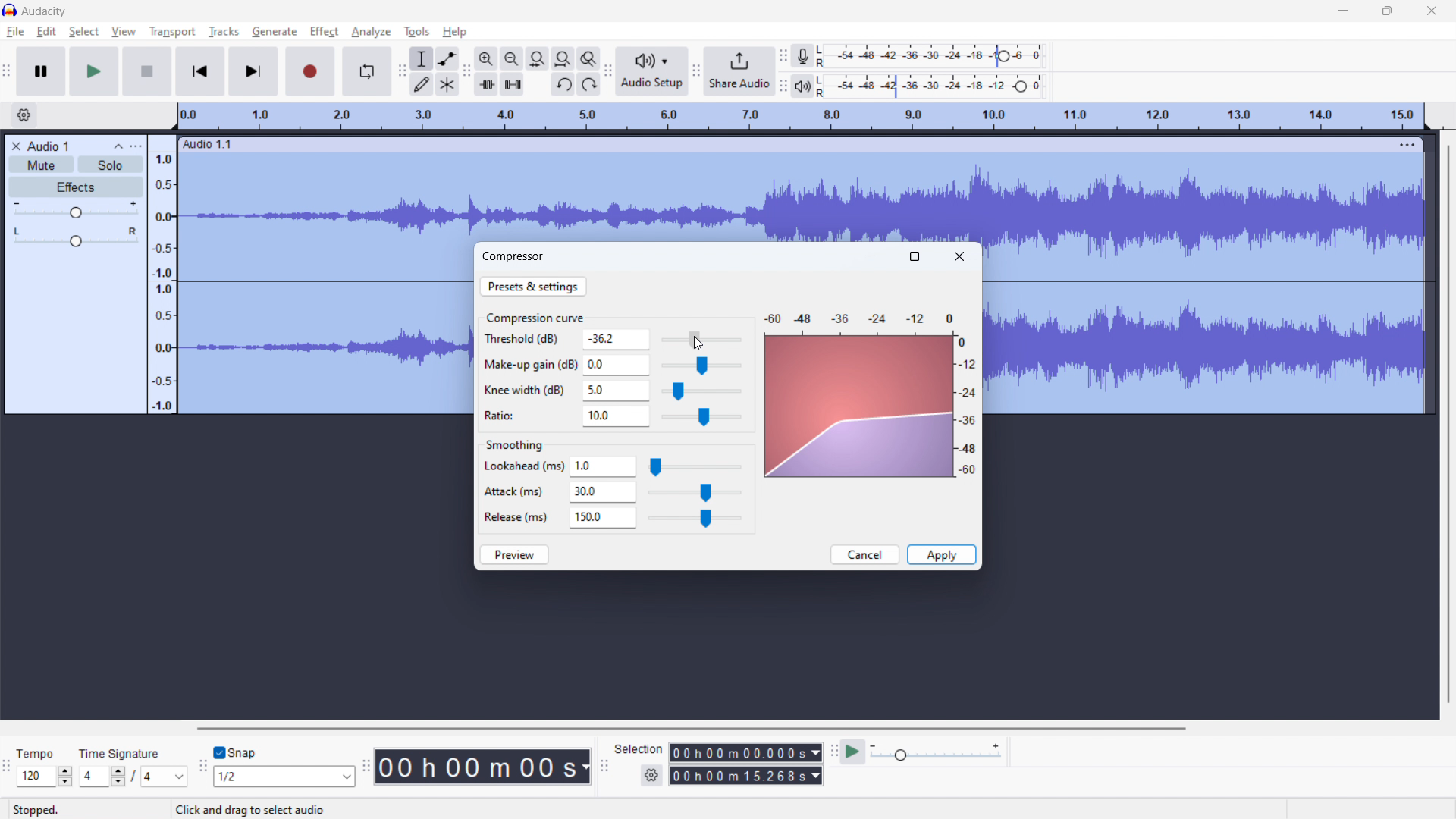  Describe the element at coordinates (526, 391) in the screenshot. I see ` Knee width (dB)` at that location.